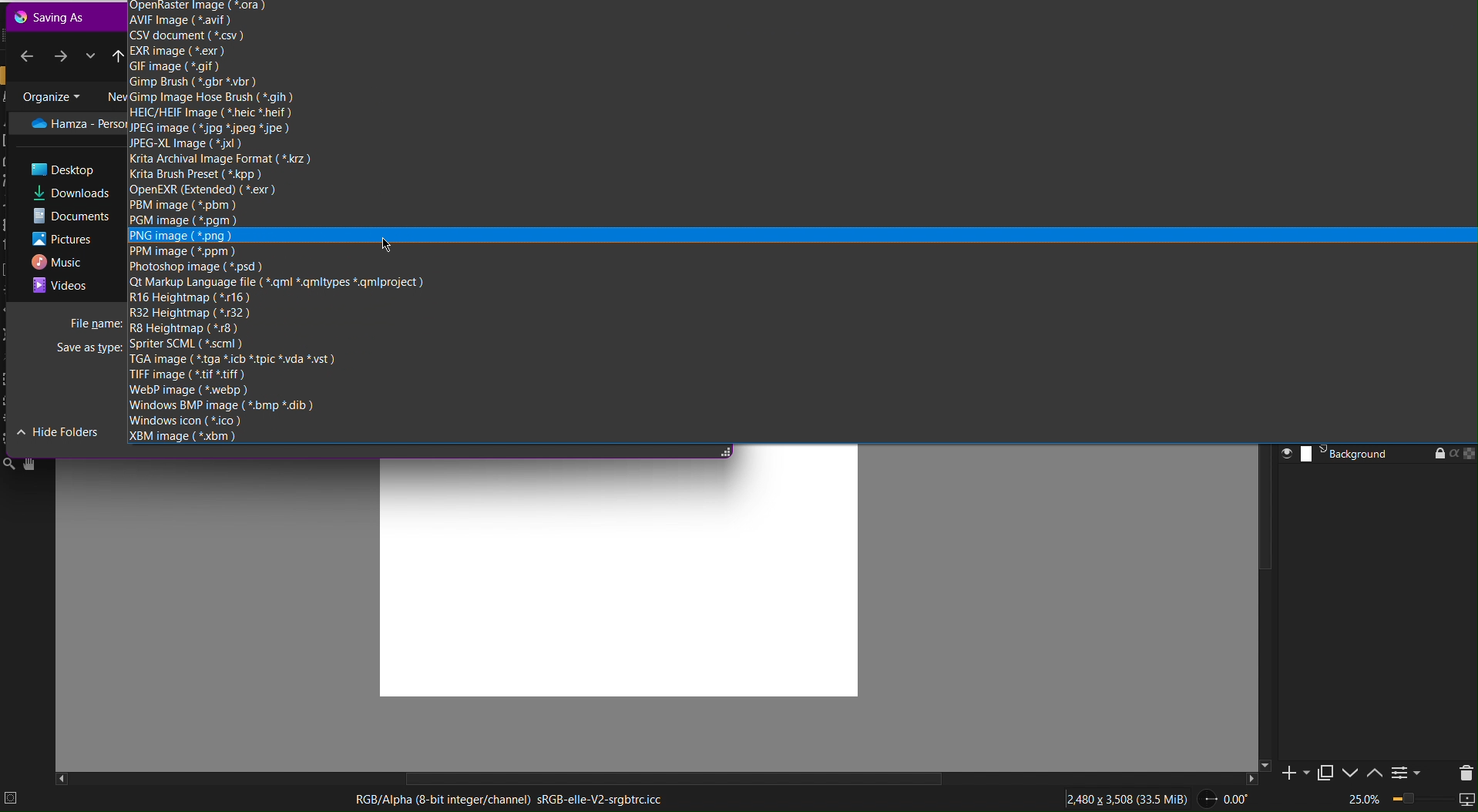 This screenshot has height=812, width=1478. What do you see at coordinates (90, 55) in the screenshot?
I see `Drop` at bounding box center [90, 55].